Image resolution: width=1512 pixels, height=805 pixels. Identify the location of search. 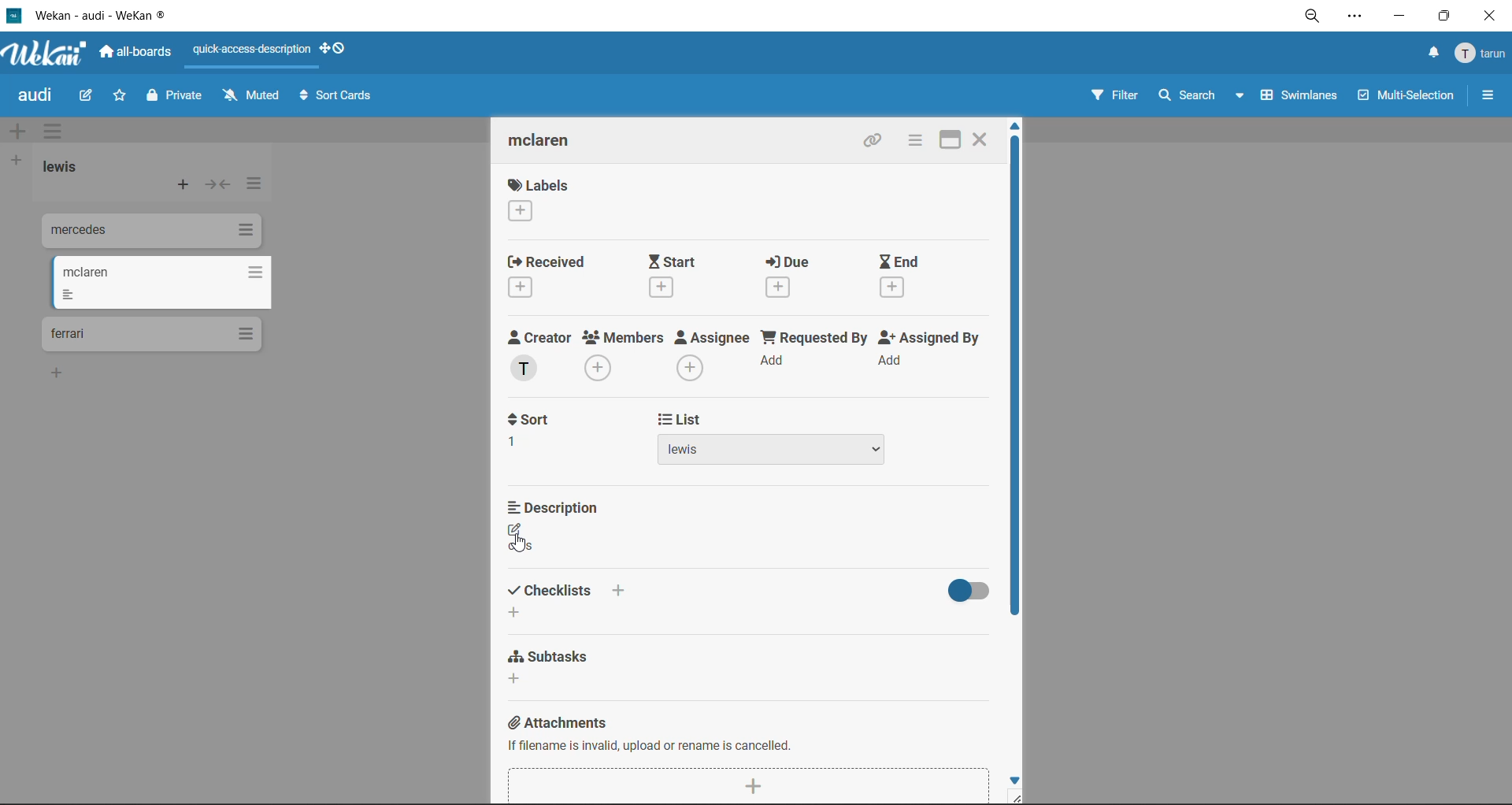
(1203, 96).